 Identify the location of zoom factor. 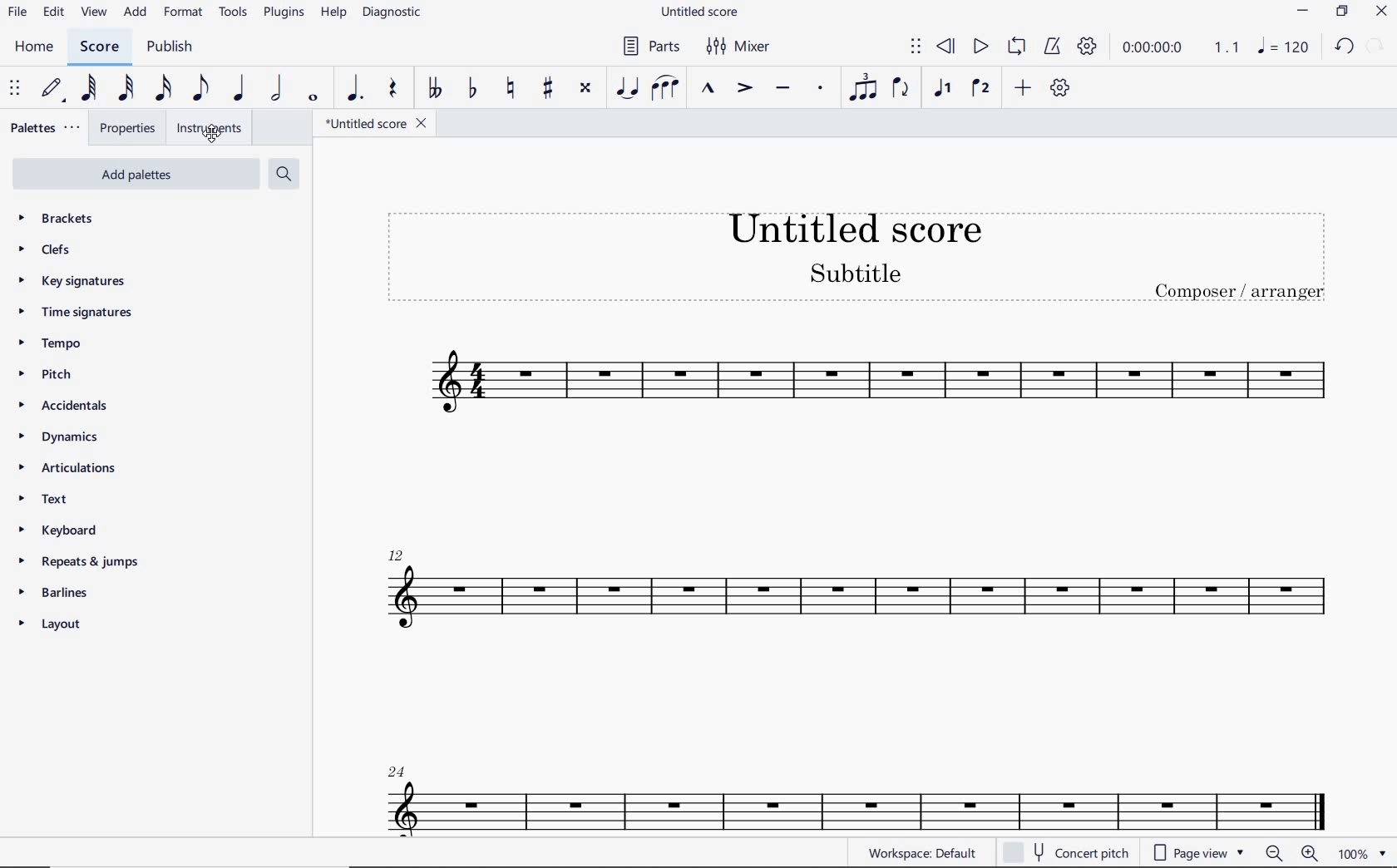
(1364, 852).